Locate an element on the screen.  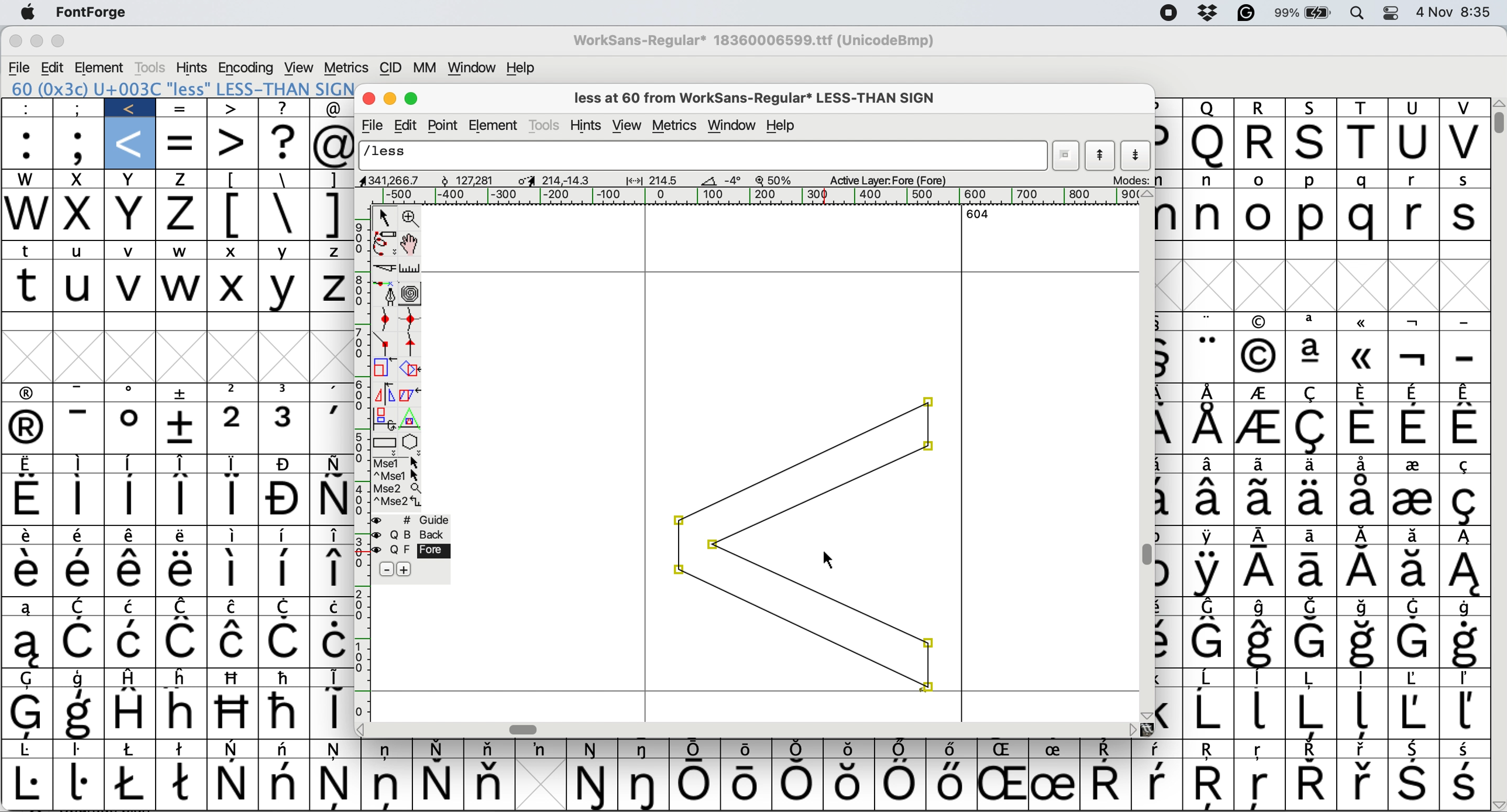
Symbol is located at coordinates (1309, 500).